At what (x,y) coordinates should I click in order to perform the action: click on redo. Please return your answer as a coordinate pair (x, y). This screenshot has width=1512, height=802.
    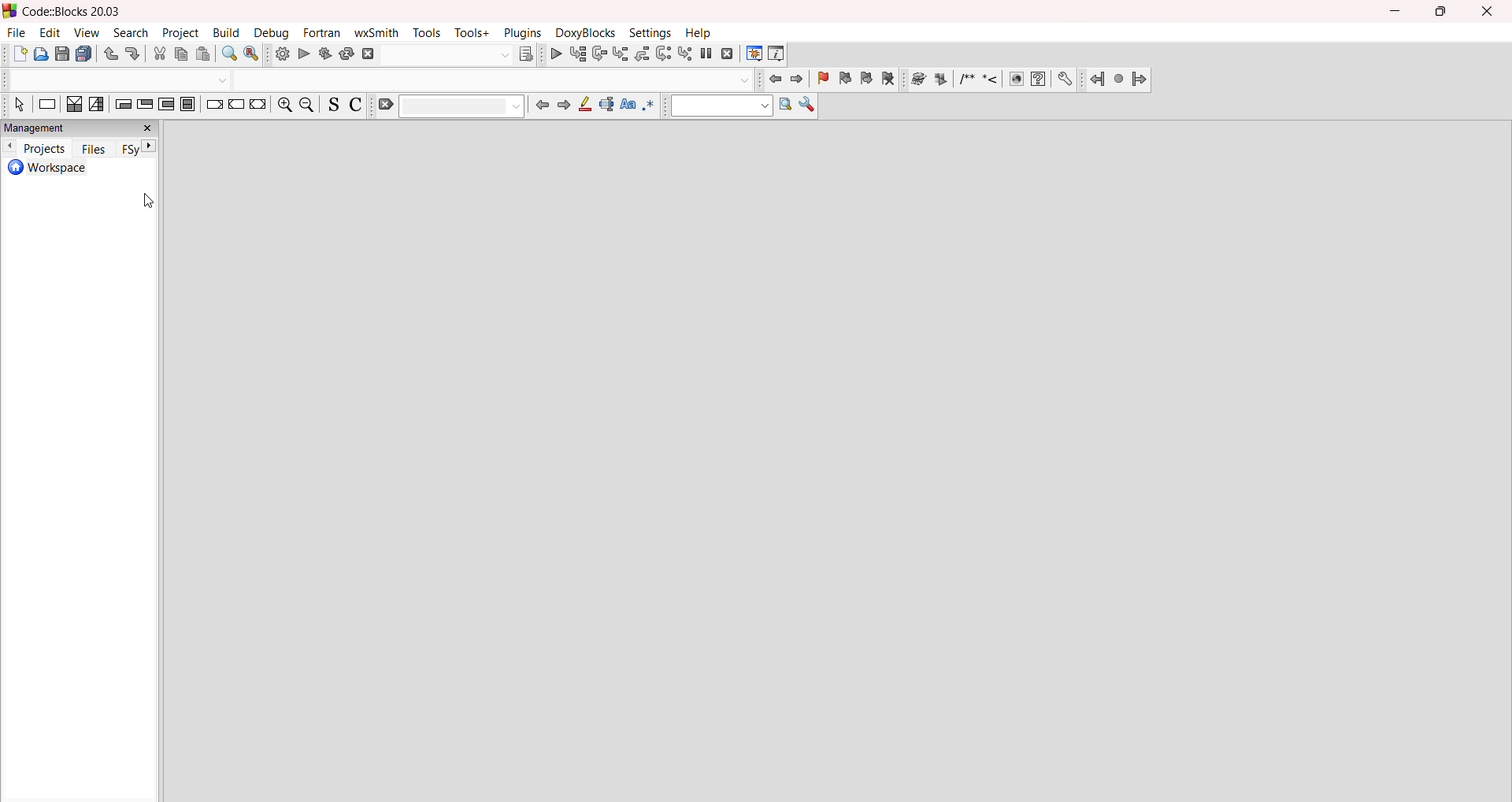
    Looking at the image, I should click on (135, 53).